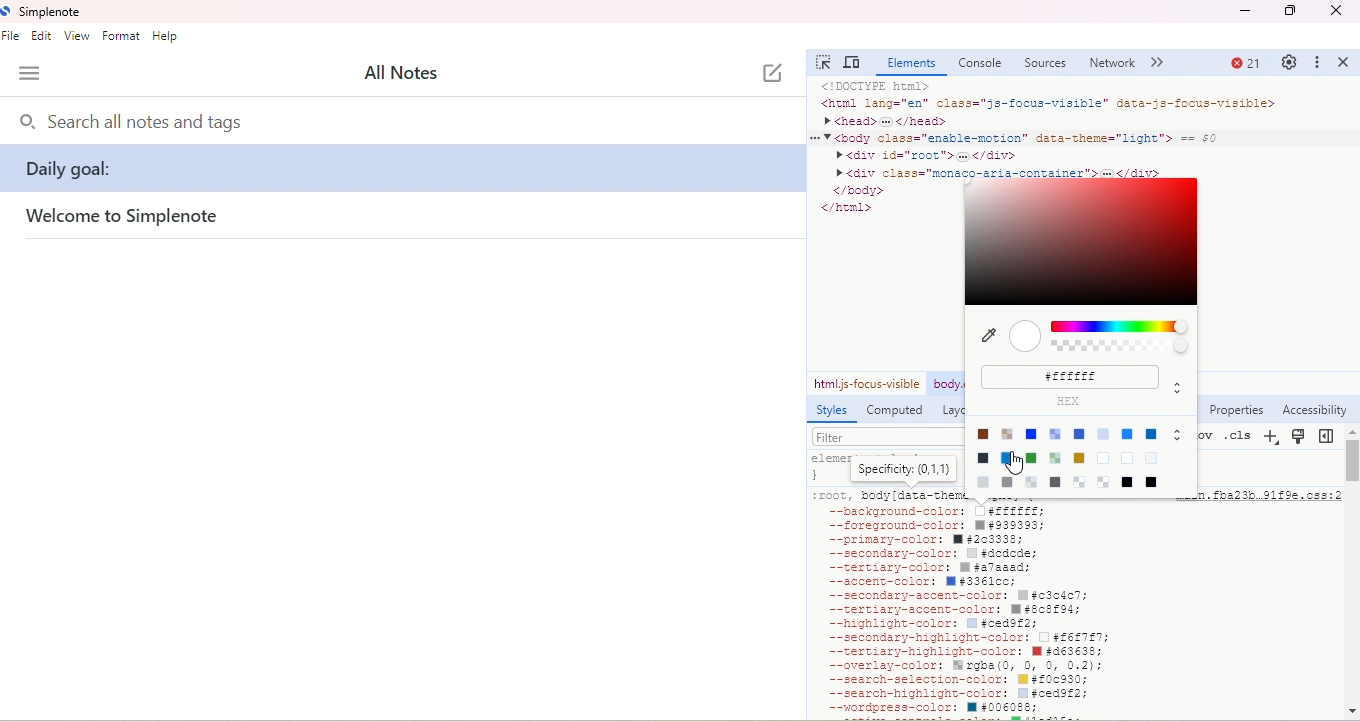 Image resolution: width=1360 pixels, height=722 pixels. What do you see at coordinates (1079, 459) in the screenshot?
I see `color options` at bounding box center [1079, 459].